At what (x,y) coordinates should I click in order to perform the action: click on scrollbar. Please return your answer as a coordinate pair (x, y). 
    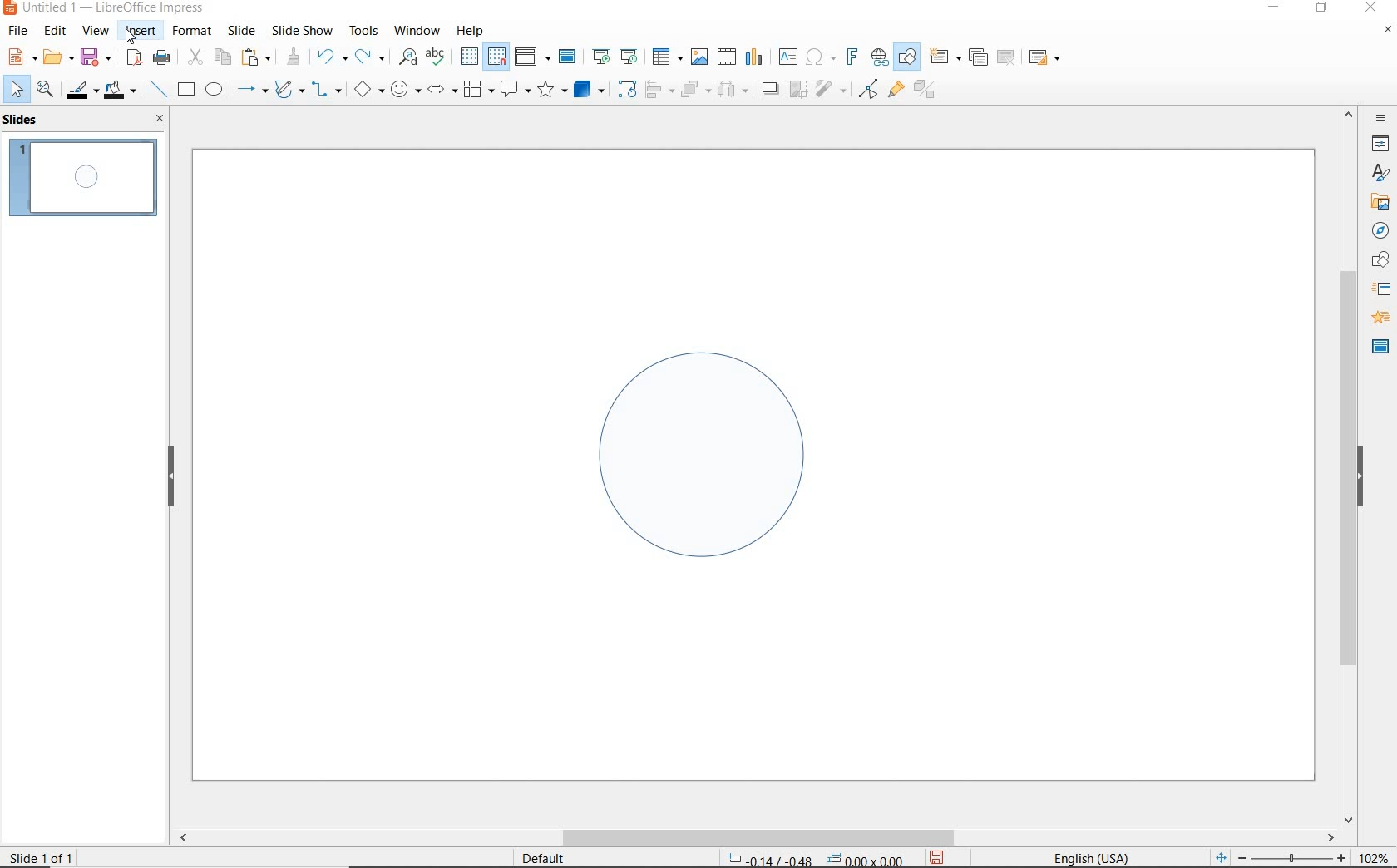
    Looking at the image, I should click on (1349, 465).